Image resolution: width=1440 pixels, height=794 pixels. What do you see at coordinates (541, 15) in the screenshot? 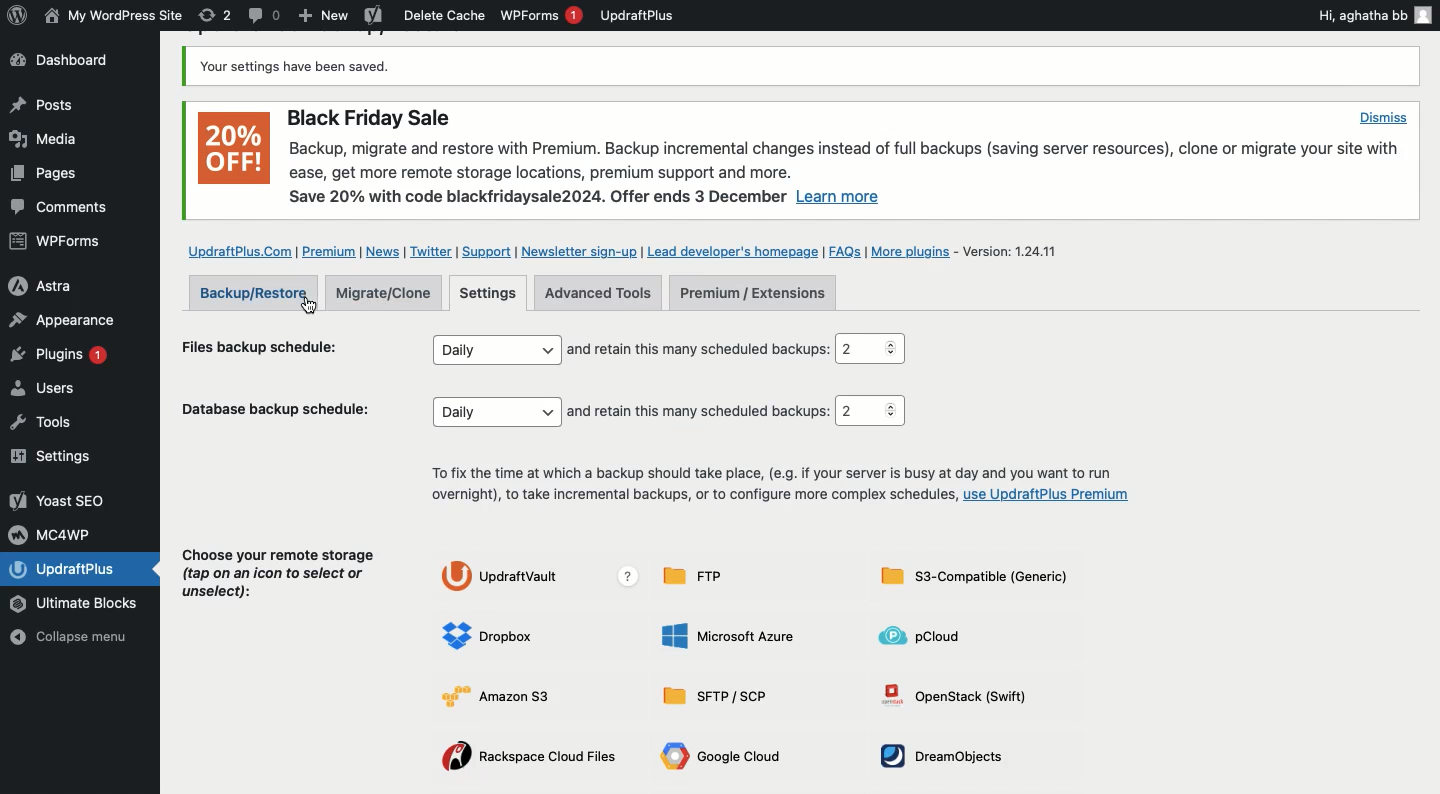
I see `WPForms 1` at bounding box center [541, 15].